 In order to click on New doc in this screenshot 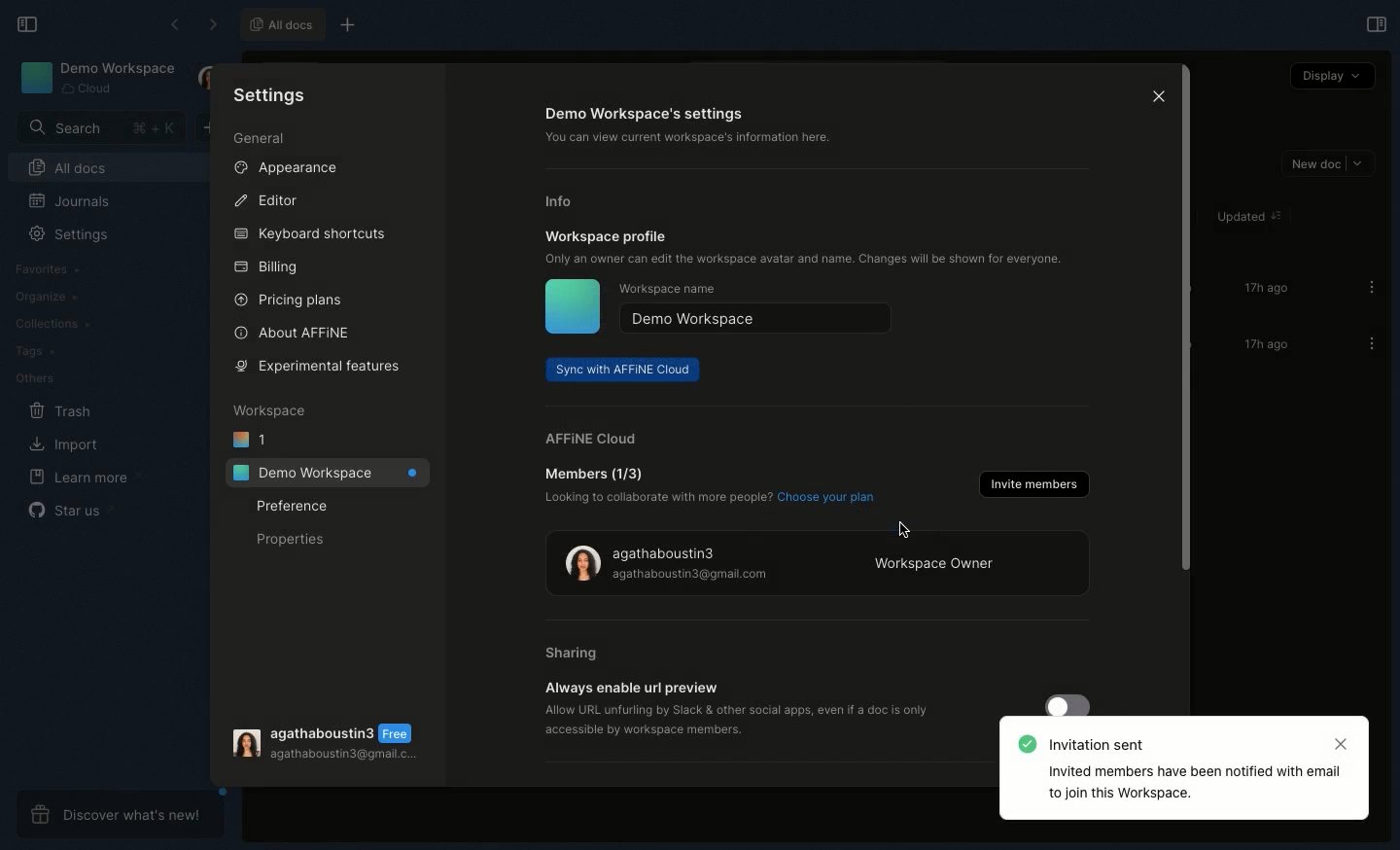, I will do `click(1326, 164)`.